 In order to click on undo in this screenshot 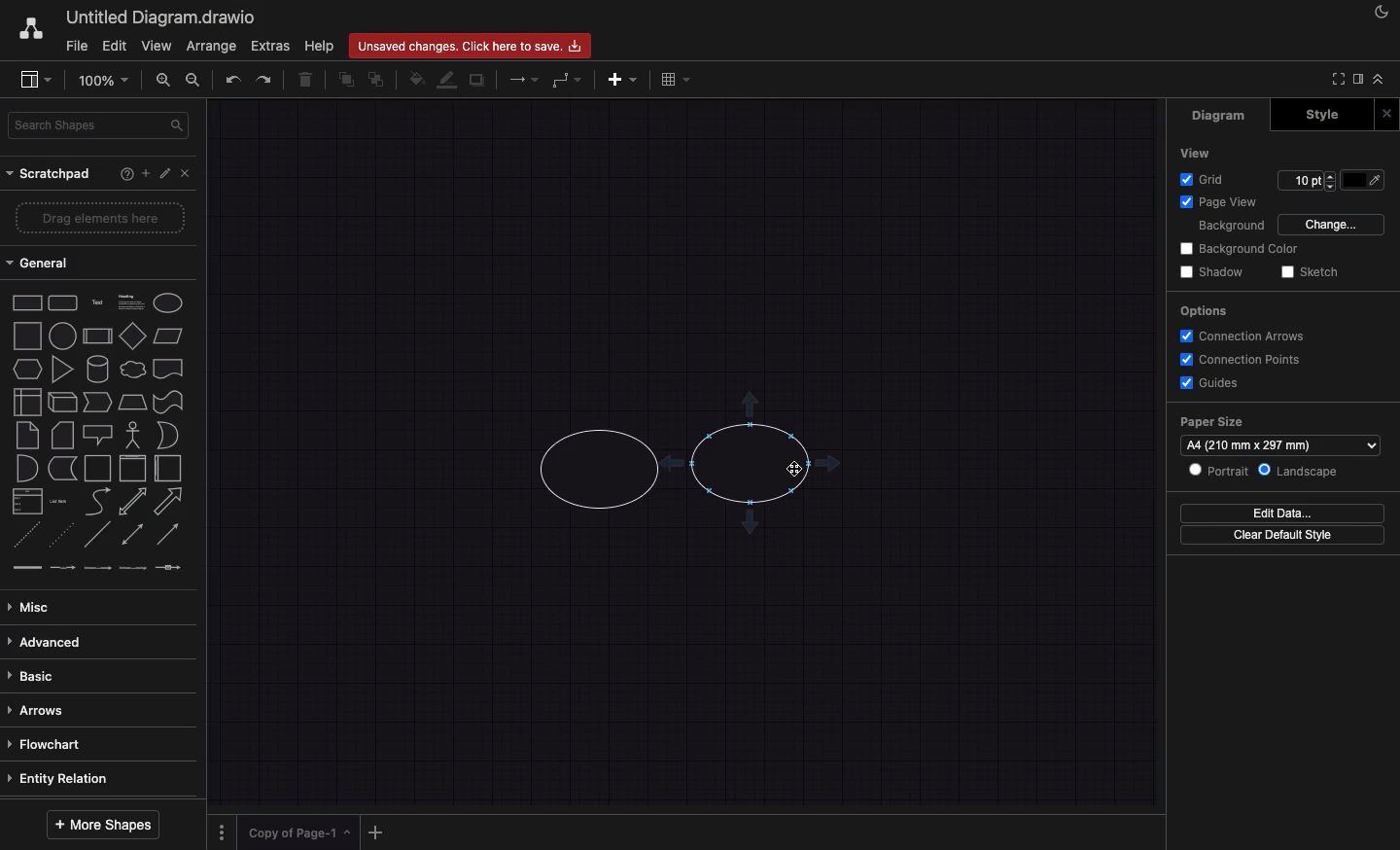, I will do `click(231, 80)`.